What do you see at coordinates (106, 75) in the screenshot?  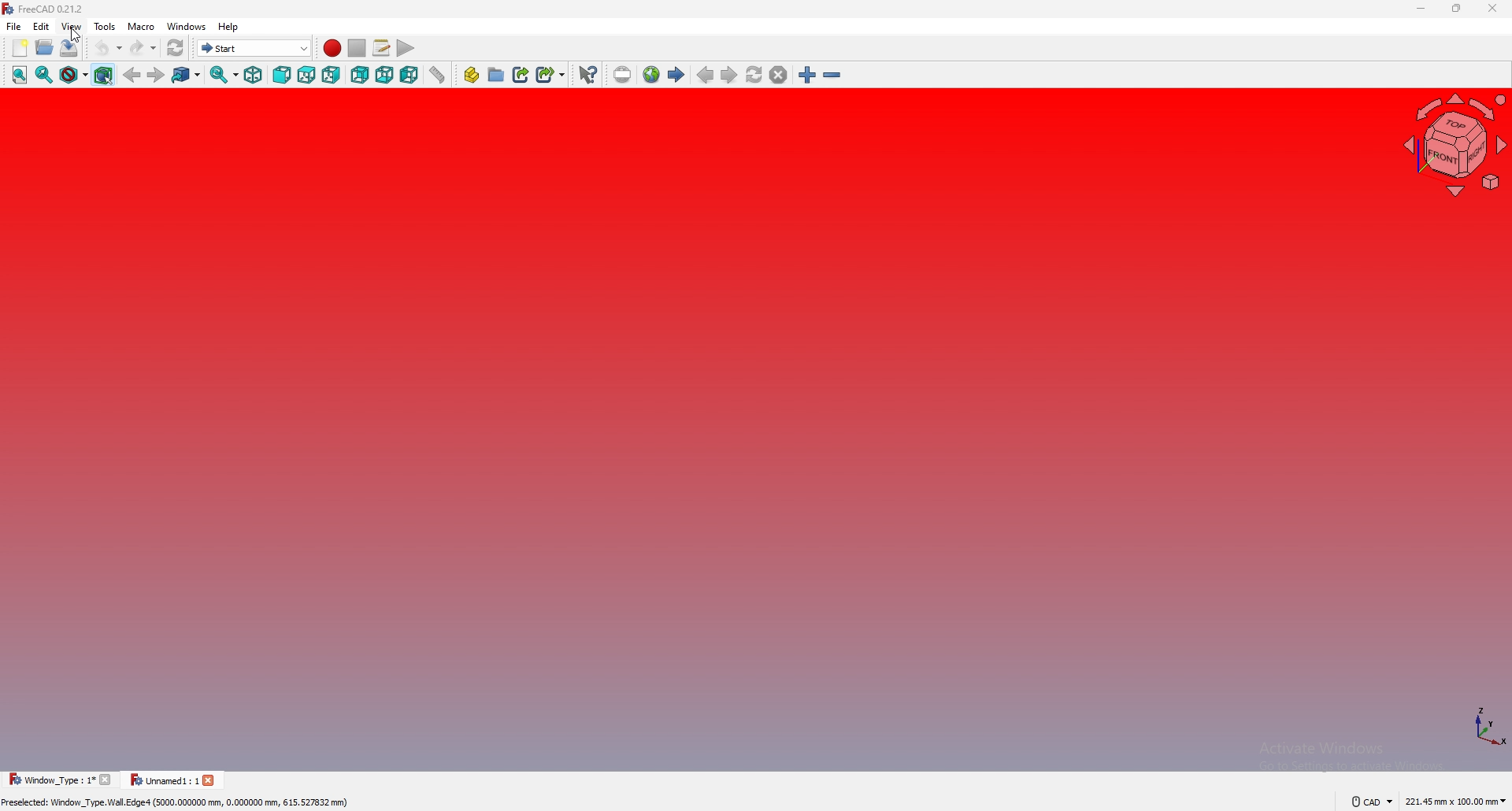 I see `bounding box` at bounding box center [106, 75].